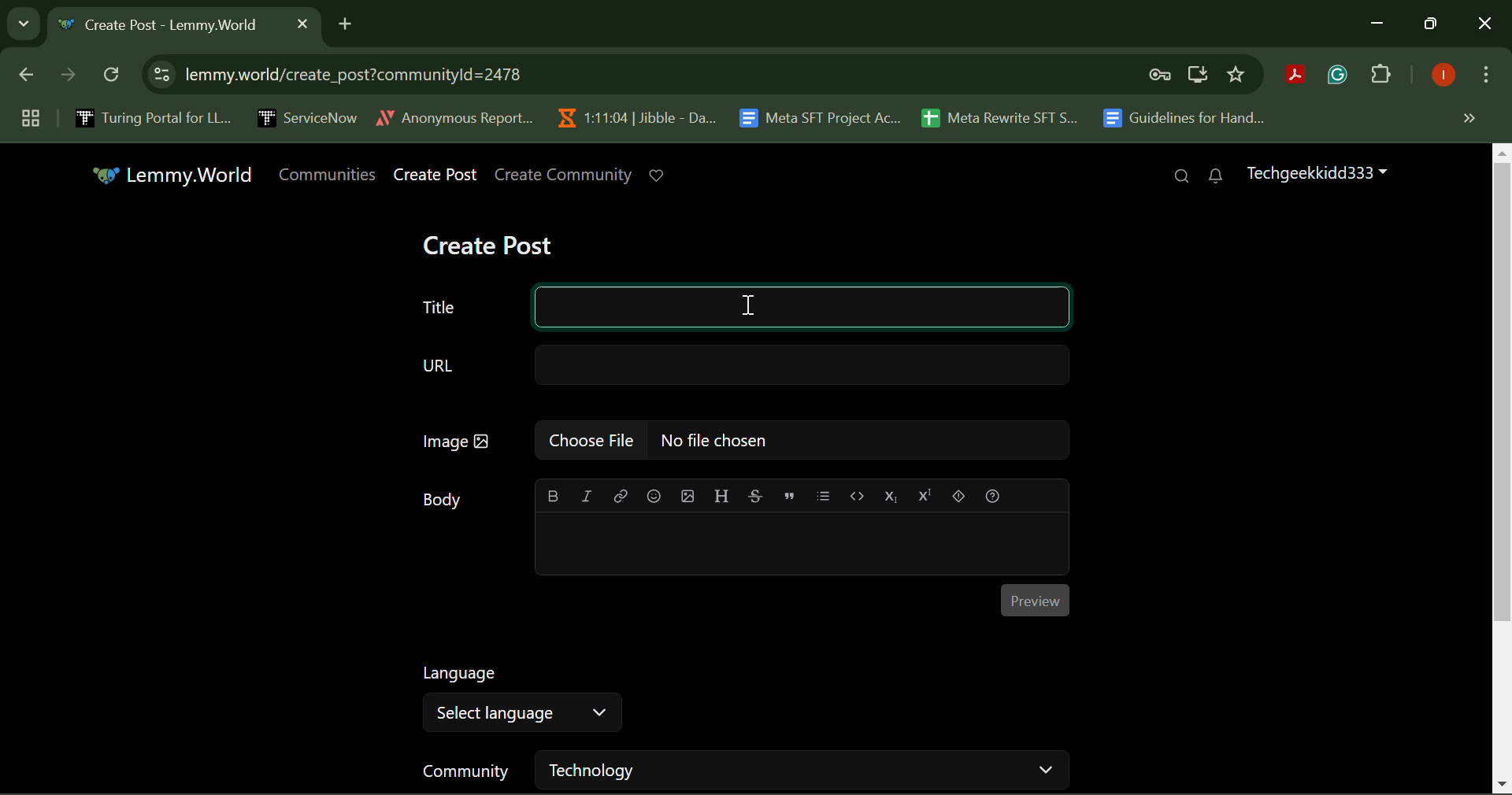  What do you see at coordinates (748, 305) in the screenshot?
I see `Cursor on Title Text Box` at bounding box center [748, 305].